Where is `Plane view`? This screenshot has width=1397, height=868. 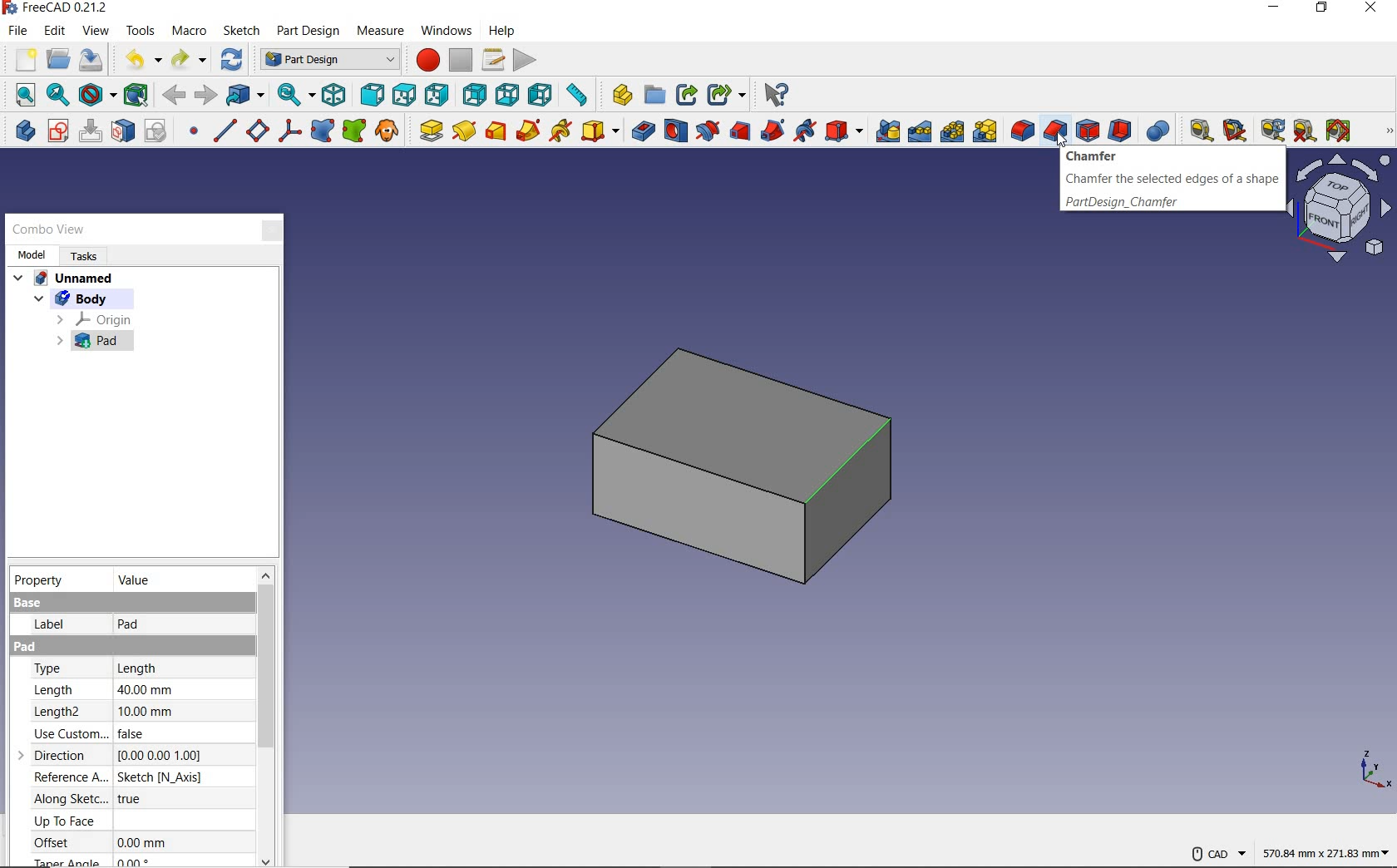
Plane view is located at coordinates (1342, 209).